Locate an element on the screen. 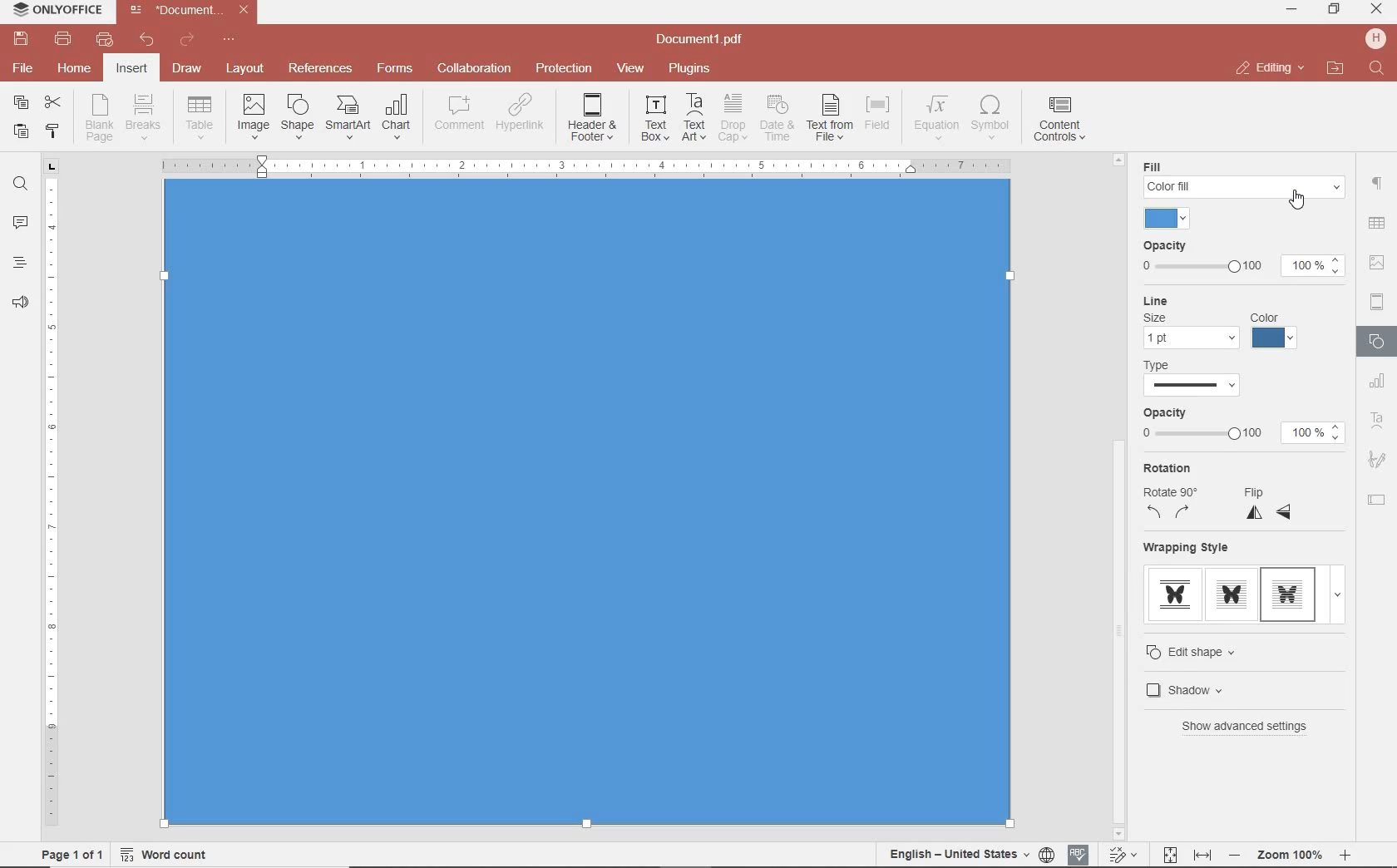  redo is located at coordinates (185, 42).